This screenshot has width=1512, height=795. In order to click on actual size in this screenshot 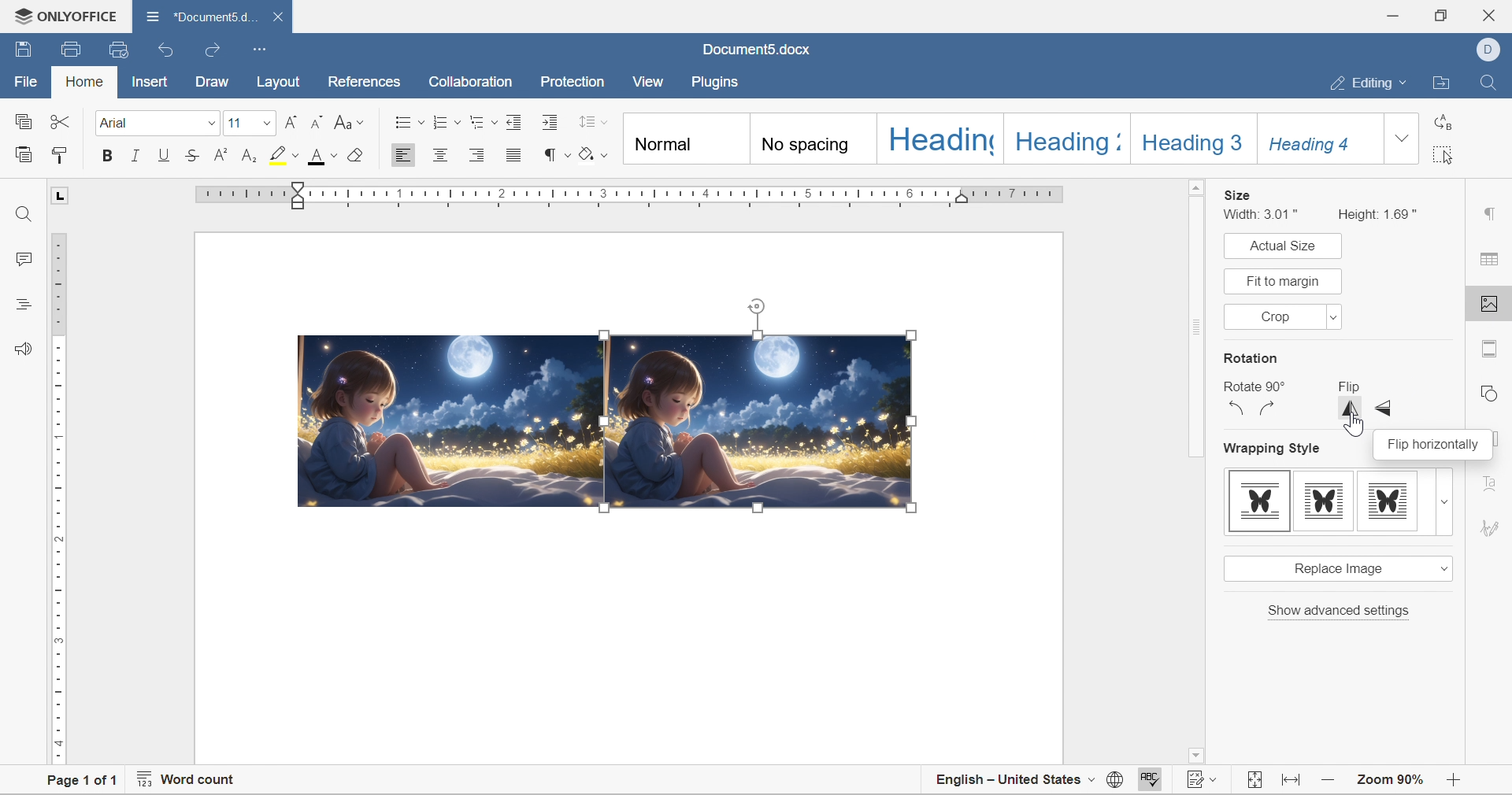, I will do `click(1279, 246)`.